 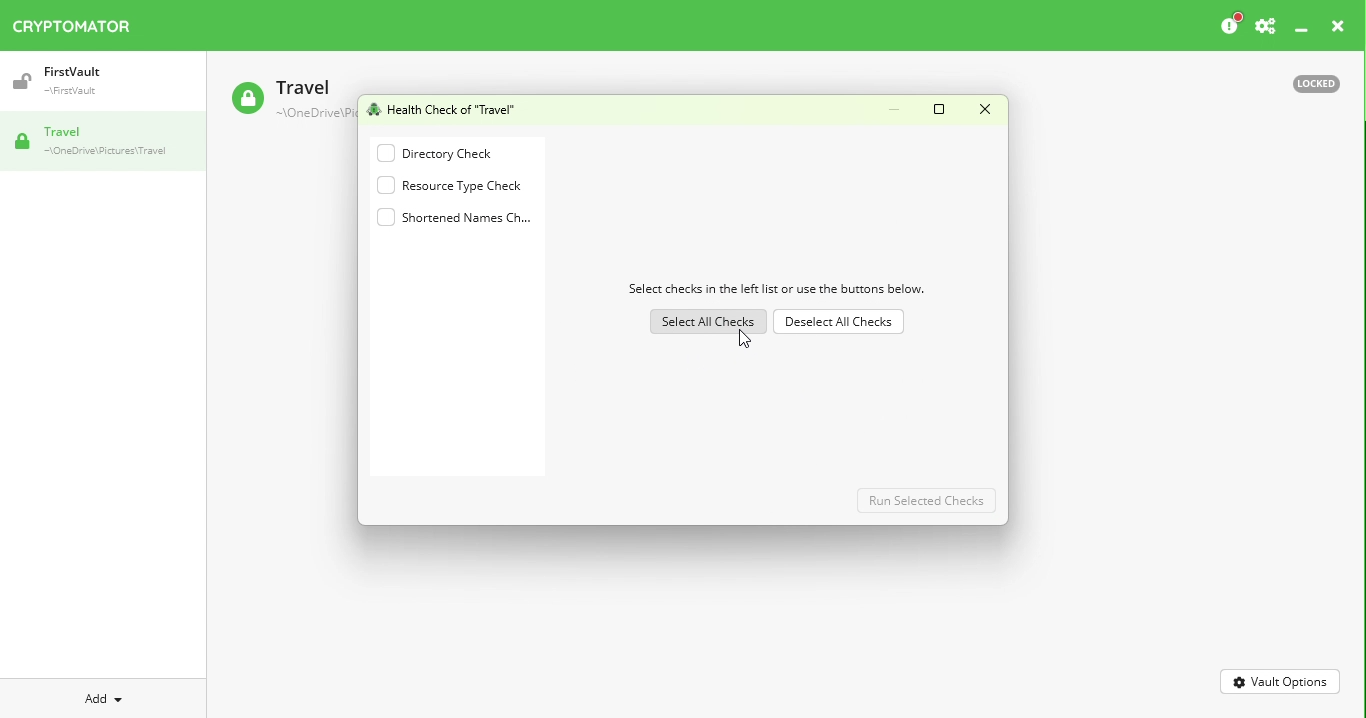 What do you see at coordinates (745, 338) in the screenshot?
I see `cursor` at bounding box center [745, 338].